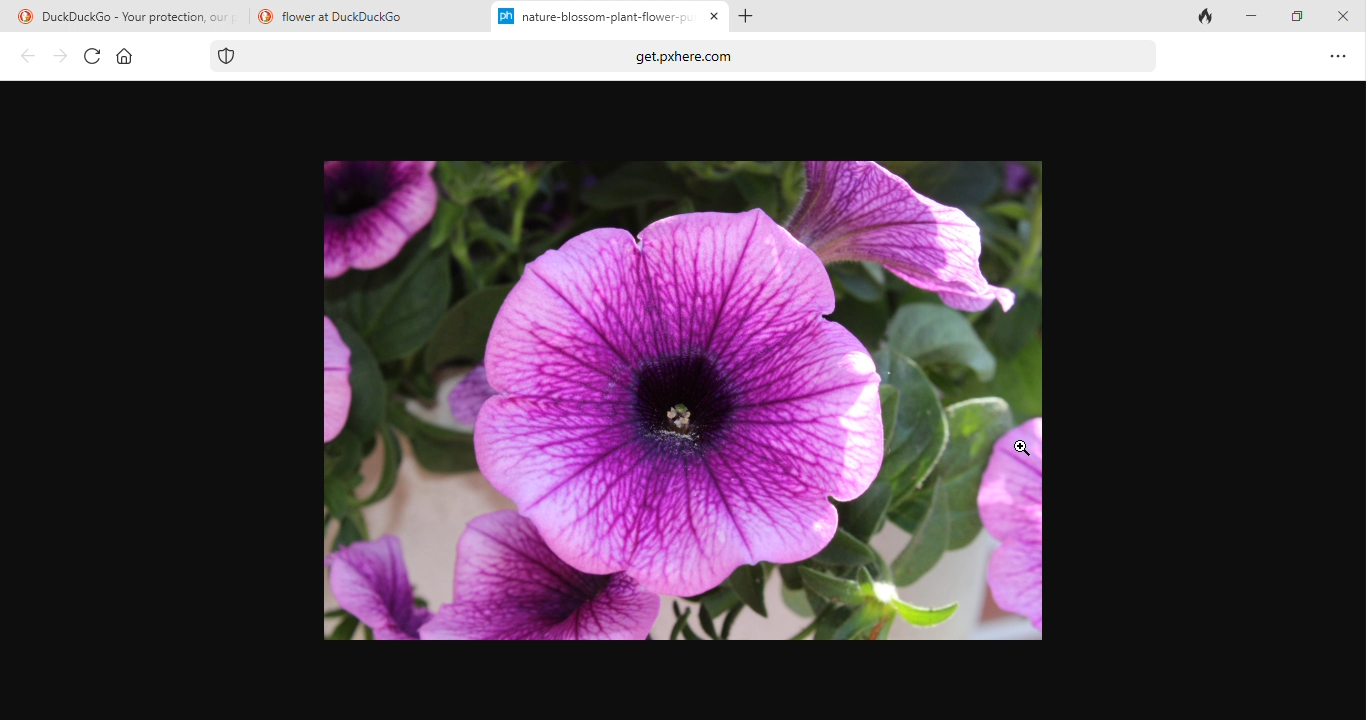  Describe the element at coordinates (263, 15) in the screenshot. I see `duckduck go logo` at that location.